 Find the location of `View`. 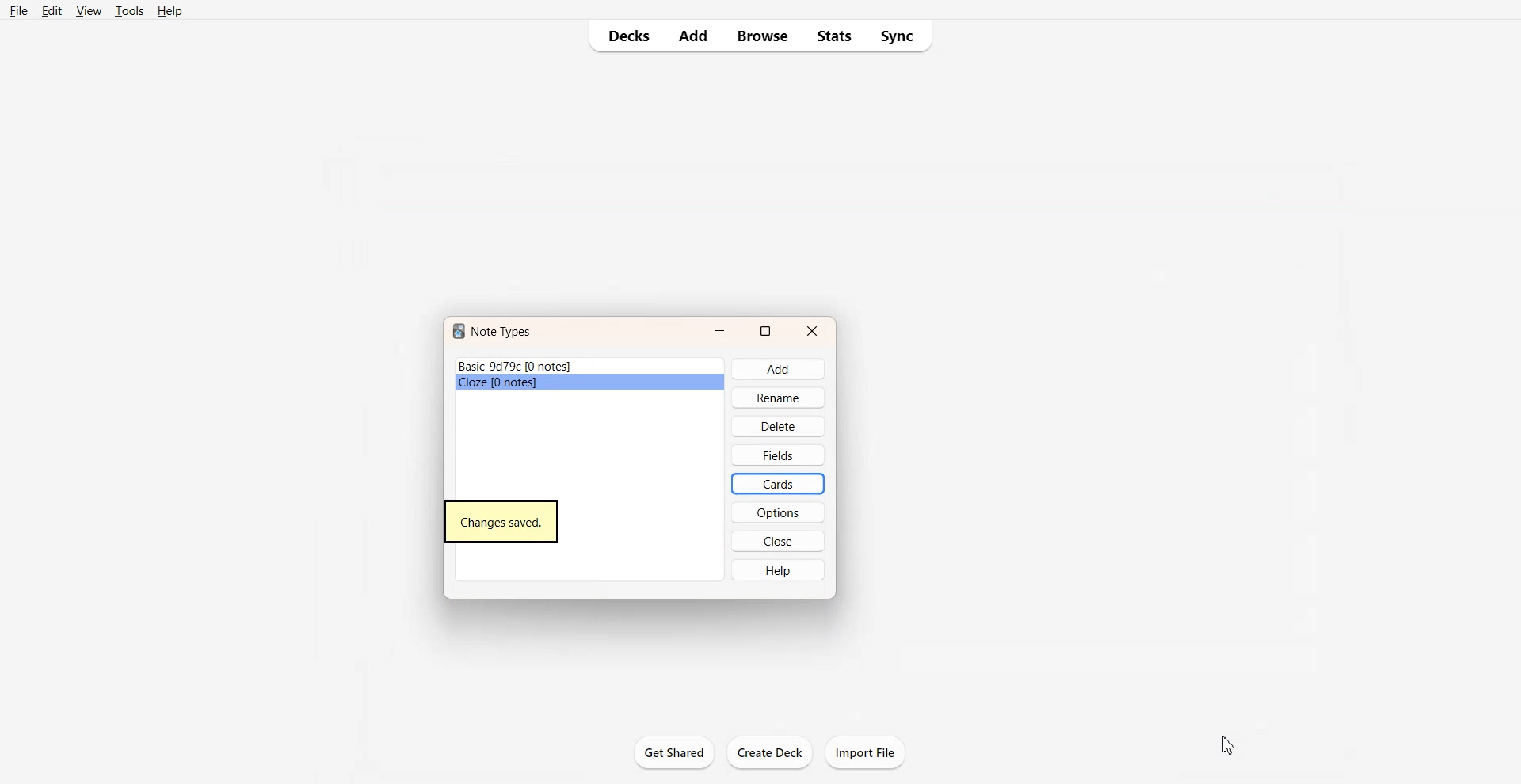

View is located at coordinates (88, 10).